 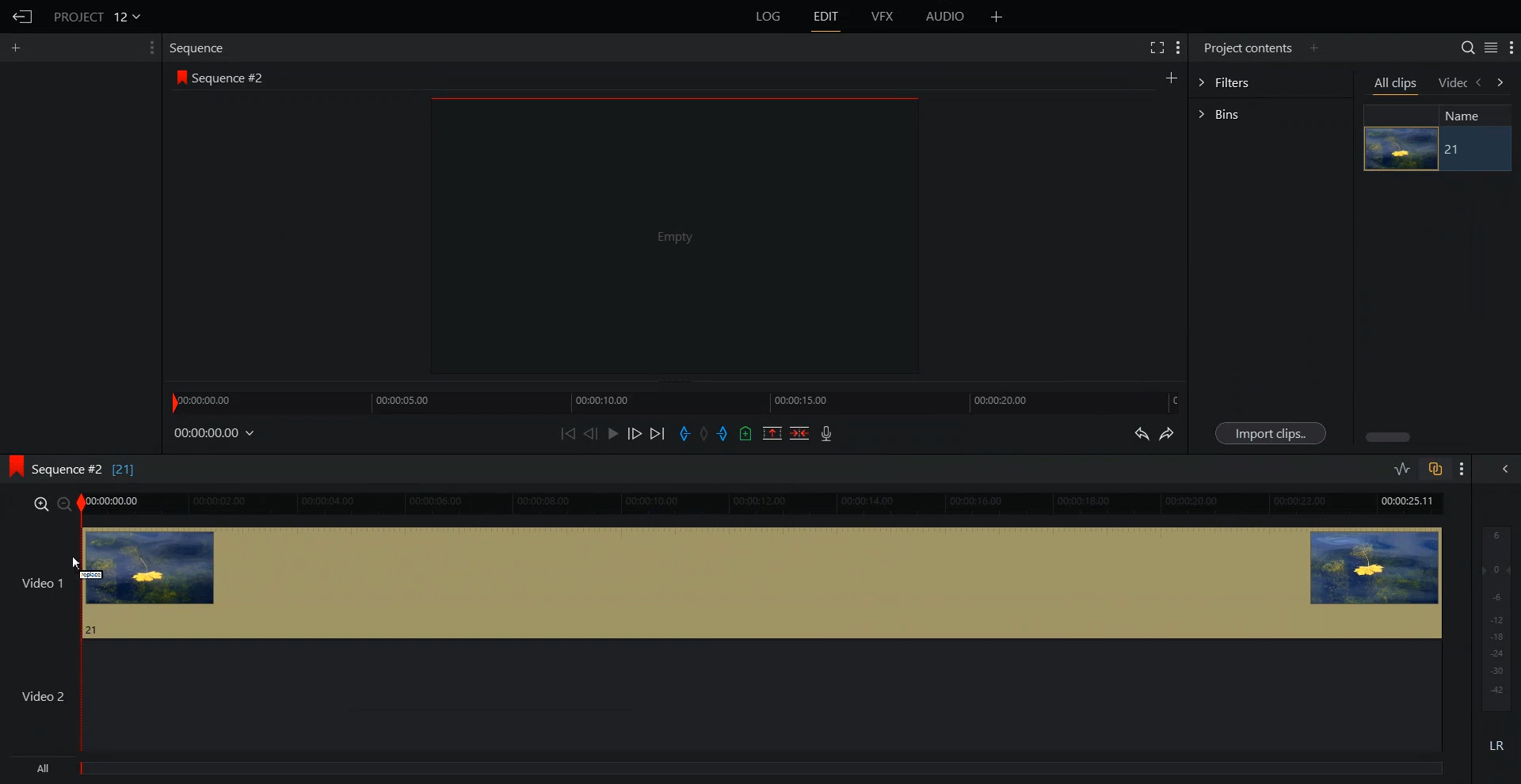 I want to click on 00:00:00.00 , so click(x=216, y=432).